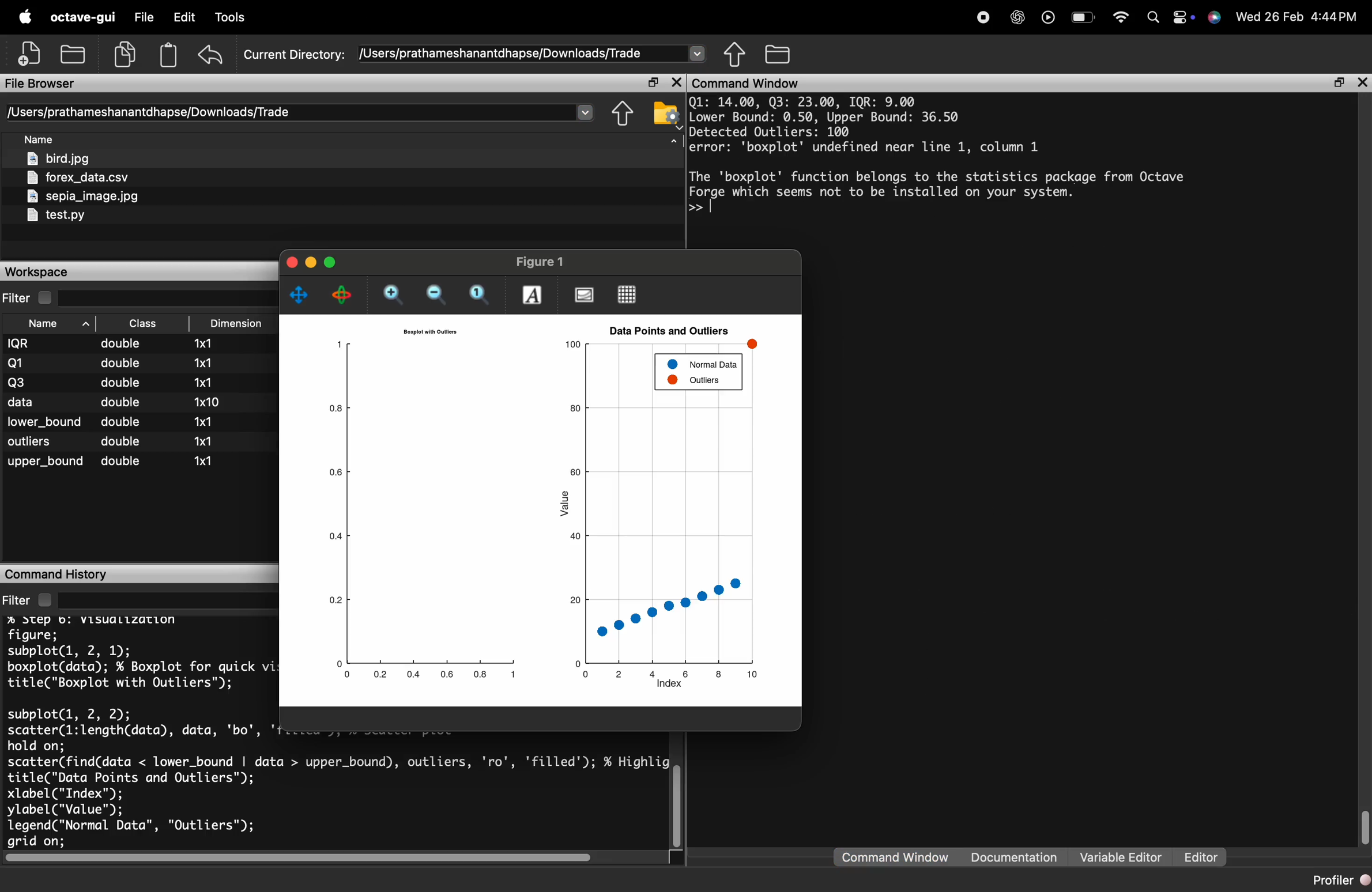 The width and height of the screenshot is (1372, 892). I want to click on share, so click(623, 114).